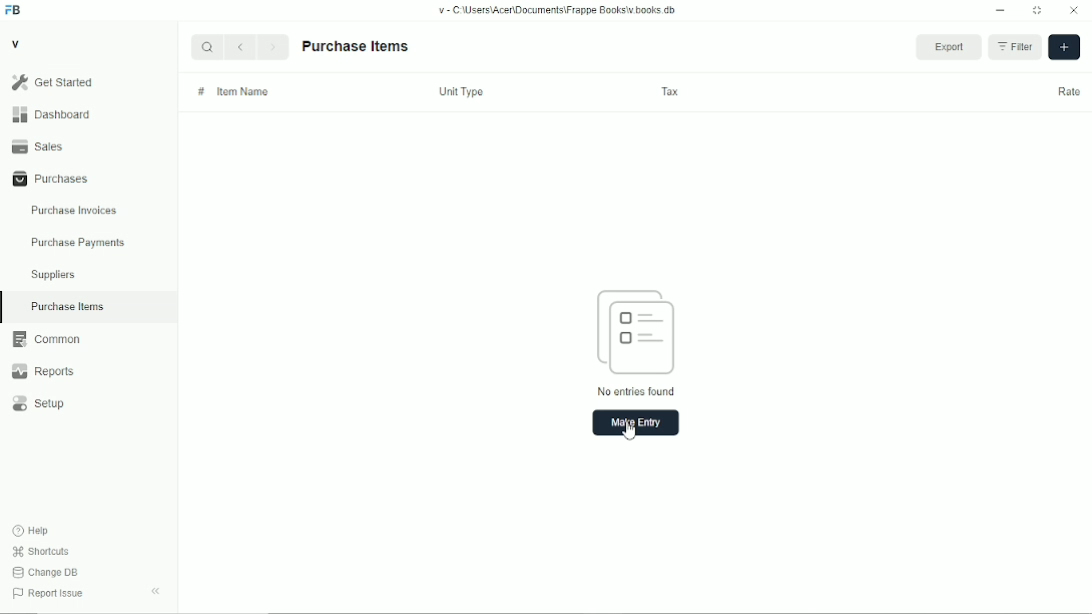 The width and height of the screenshot is (1092, 614). I want to click on make entry, so click(636, 423).